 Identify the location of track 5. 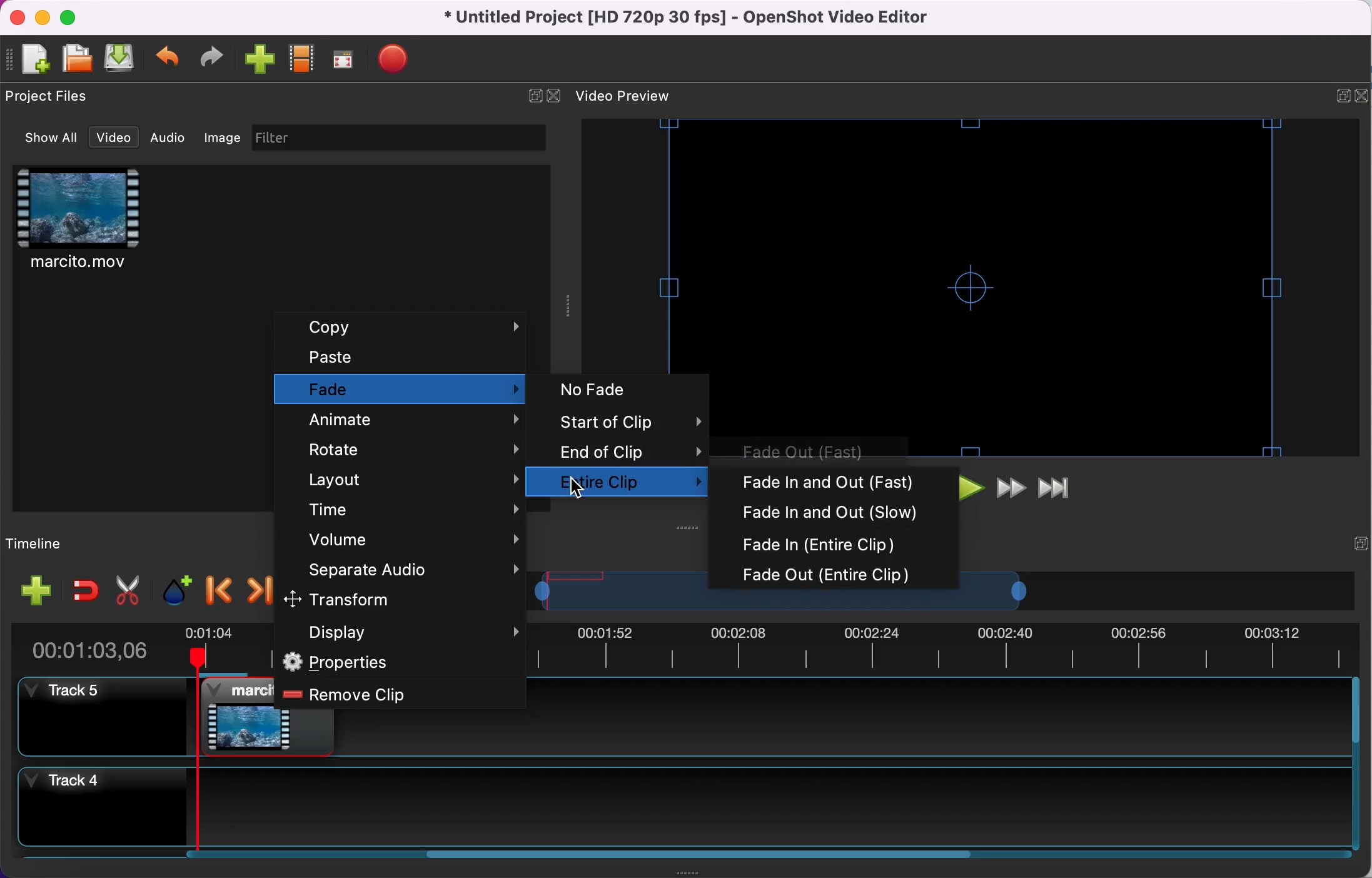
(102, 720).